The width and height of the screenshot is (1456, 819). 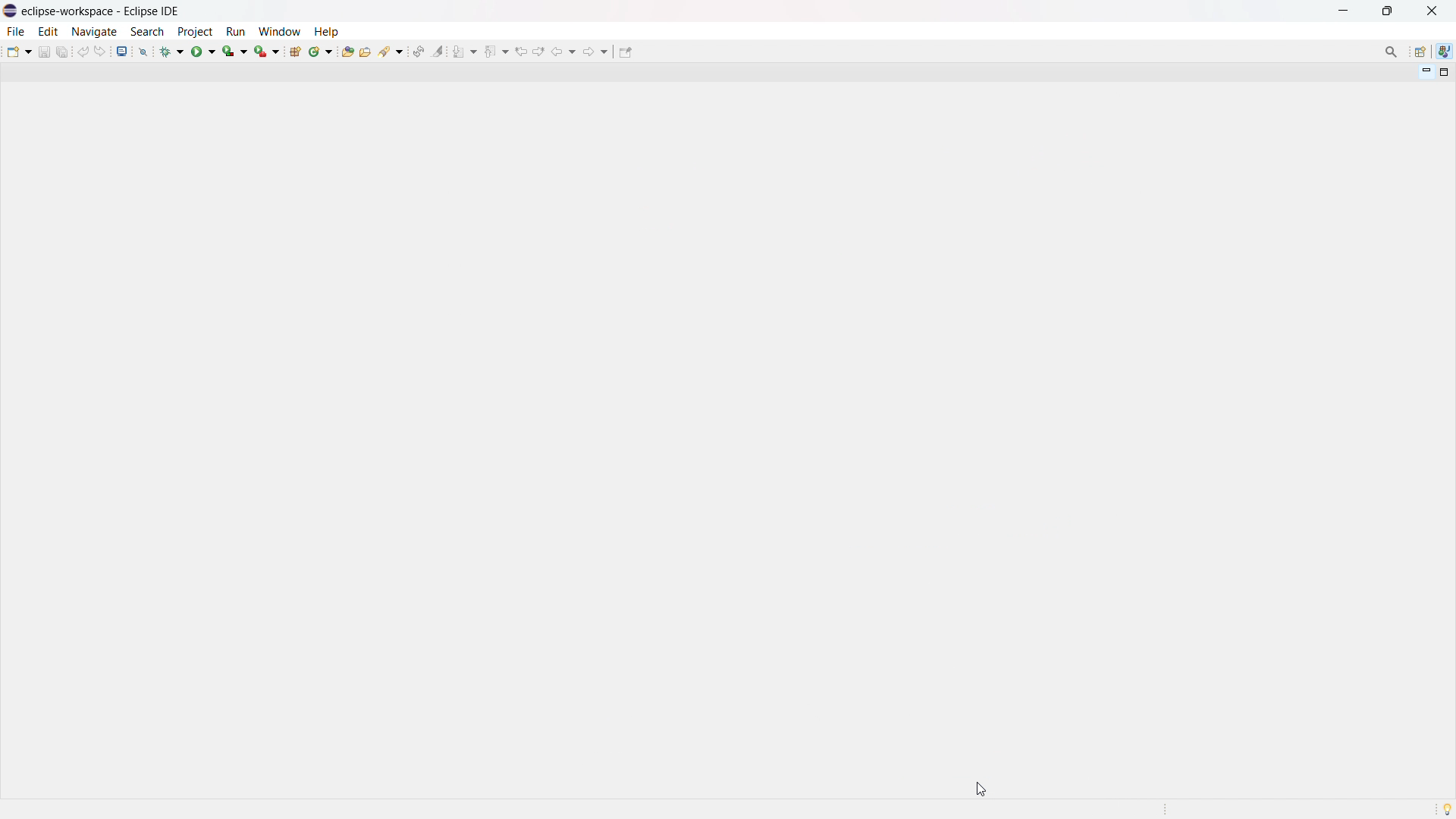 What do you see at coordinates (14, 31) in the screenshot?
I see `file` at bounding box center [14, 31].